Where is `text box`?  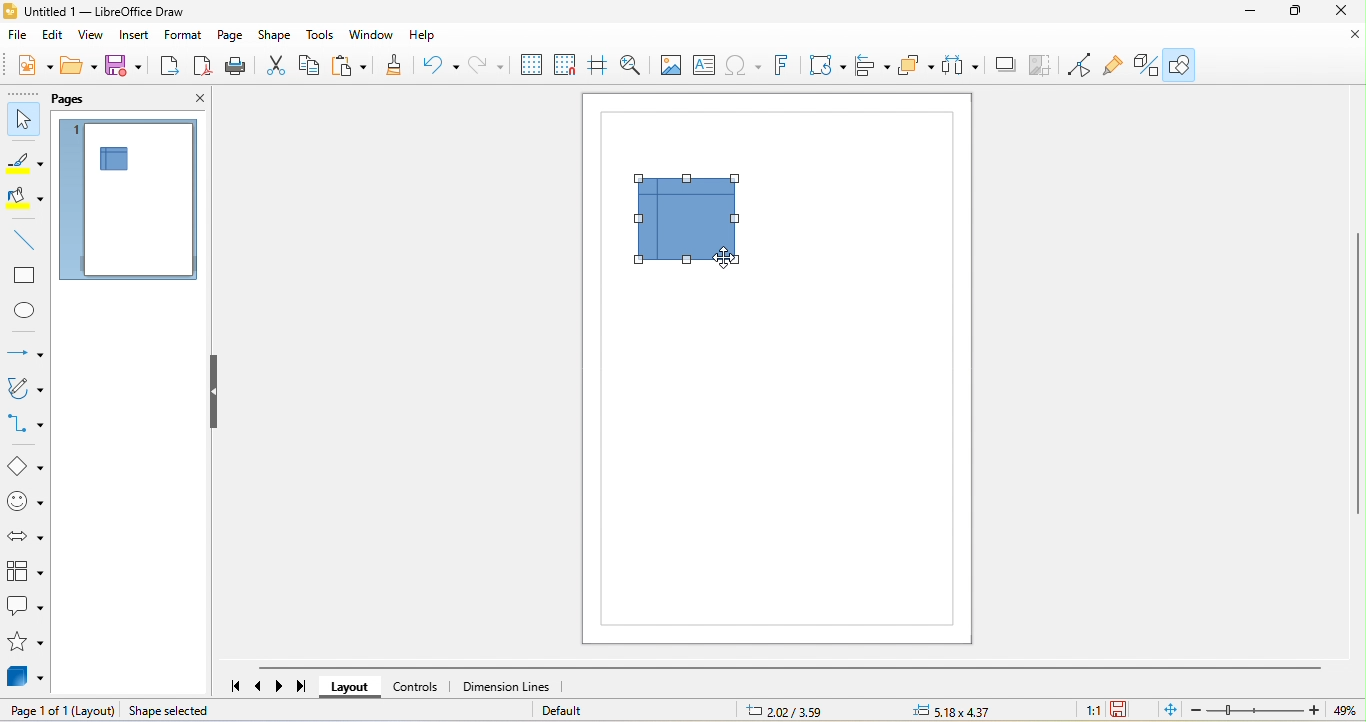 text box is located at coordinates (704, 65).